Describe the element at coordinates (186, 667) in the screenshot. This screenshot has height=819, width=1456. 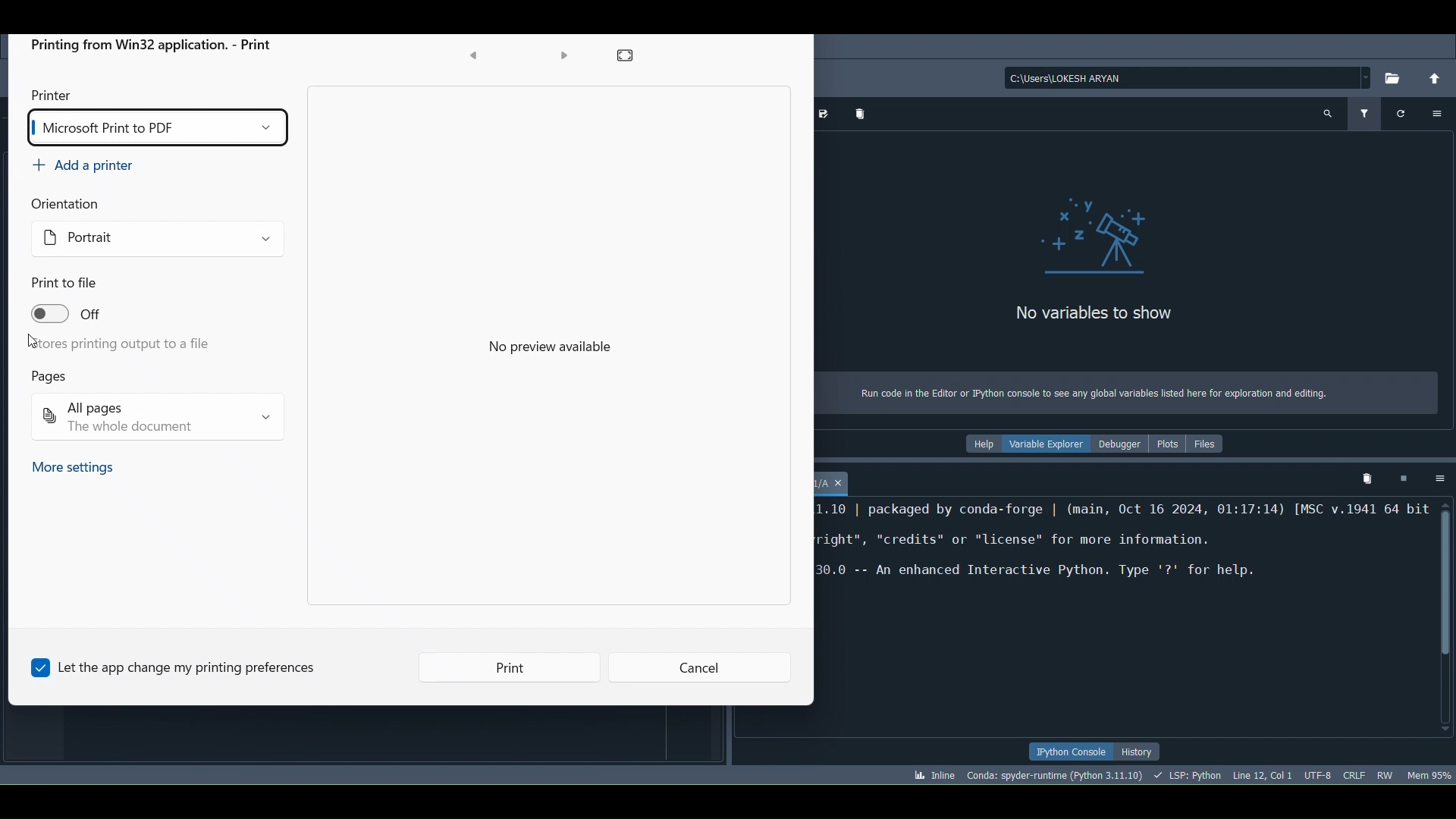
I see `Let the app change my printing preferences` at that location.